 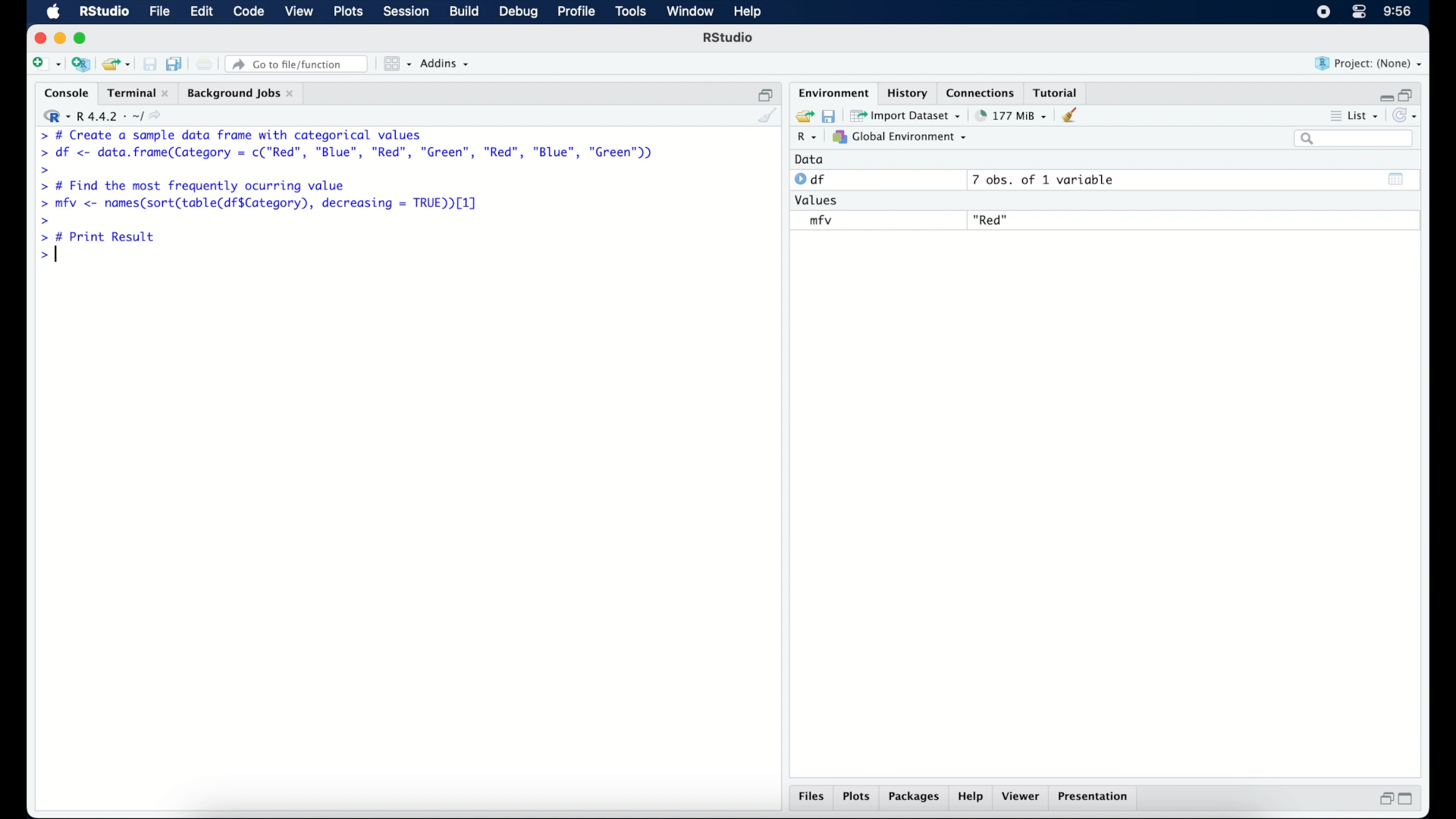 What do you see at coordinates (1384, 799) in the screenshot?
I see `restore down` at bounding box center [1384, 799].